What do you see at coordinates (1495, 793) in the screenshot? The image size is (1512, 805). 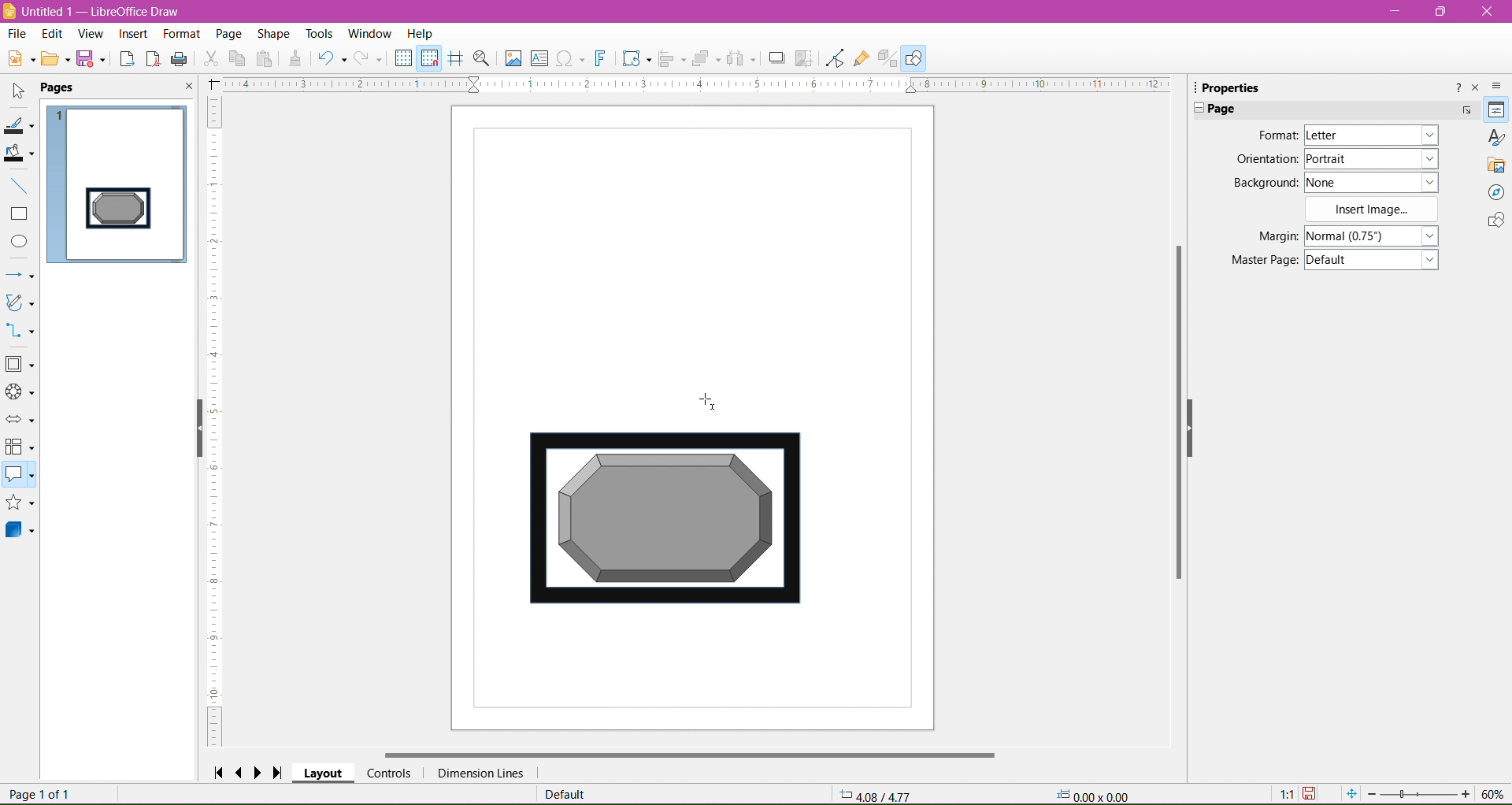 I see `60%` at bounding box center [1495, 793].